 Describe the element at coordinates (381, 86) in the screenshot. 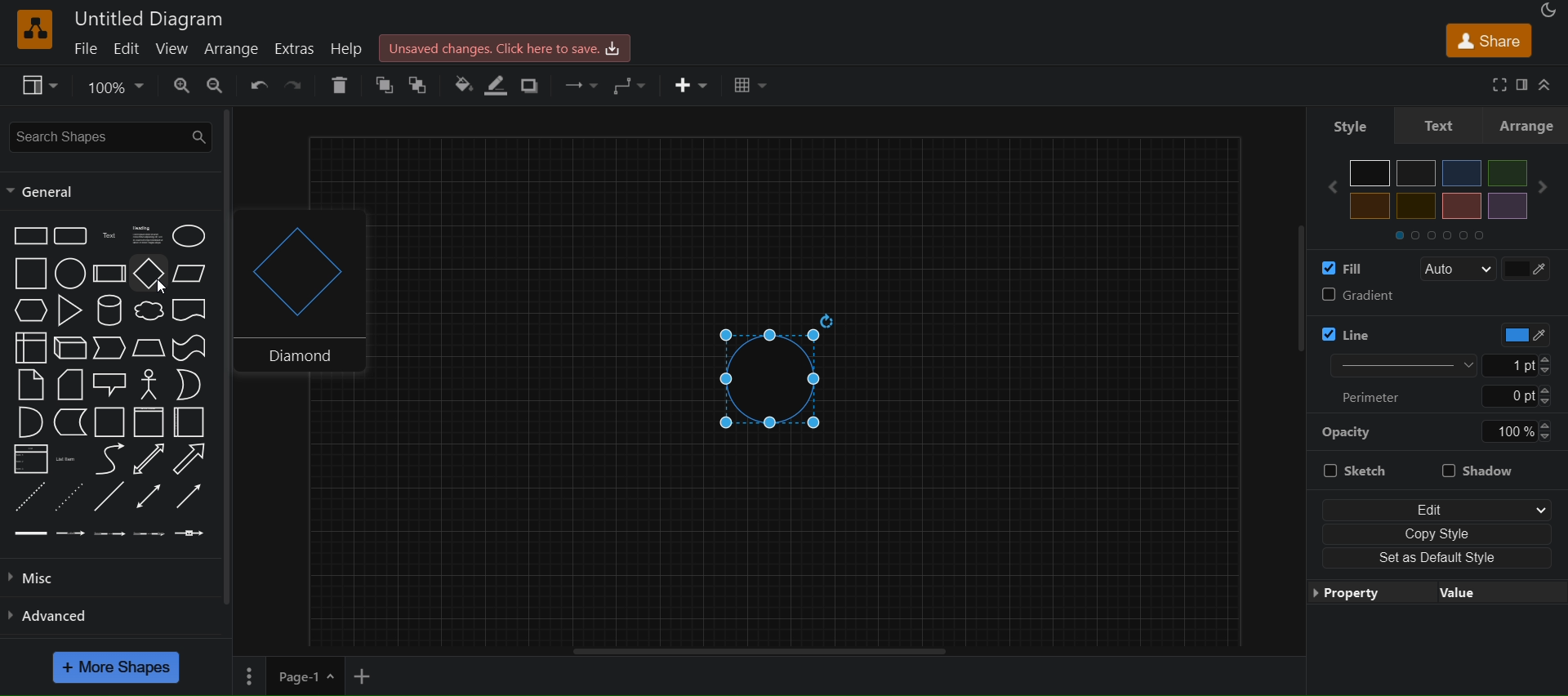

I see `to front` at that location.